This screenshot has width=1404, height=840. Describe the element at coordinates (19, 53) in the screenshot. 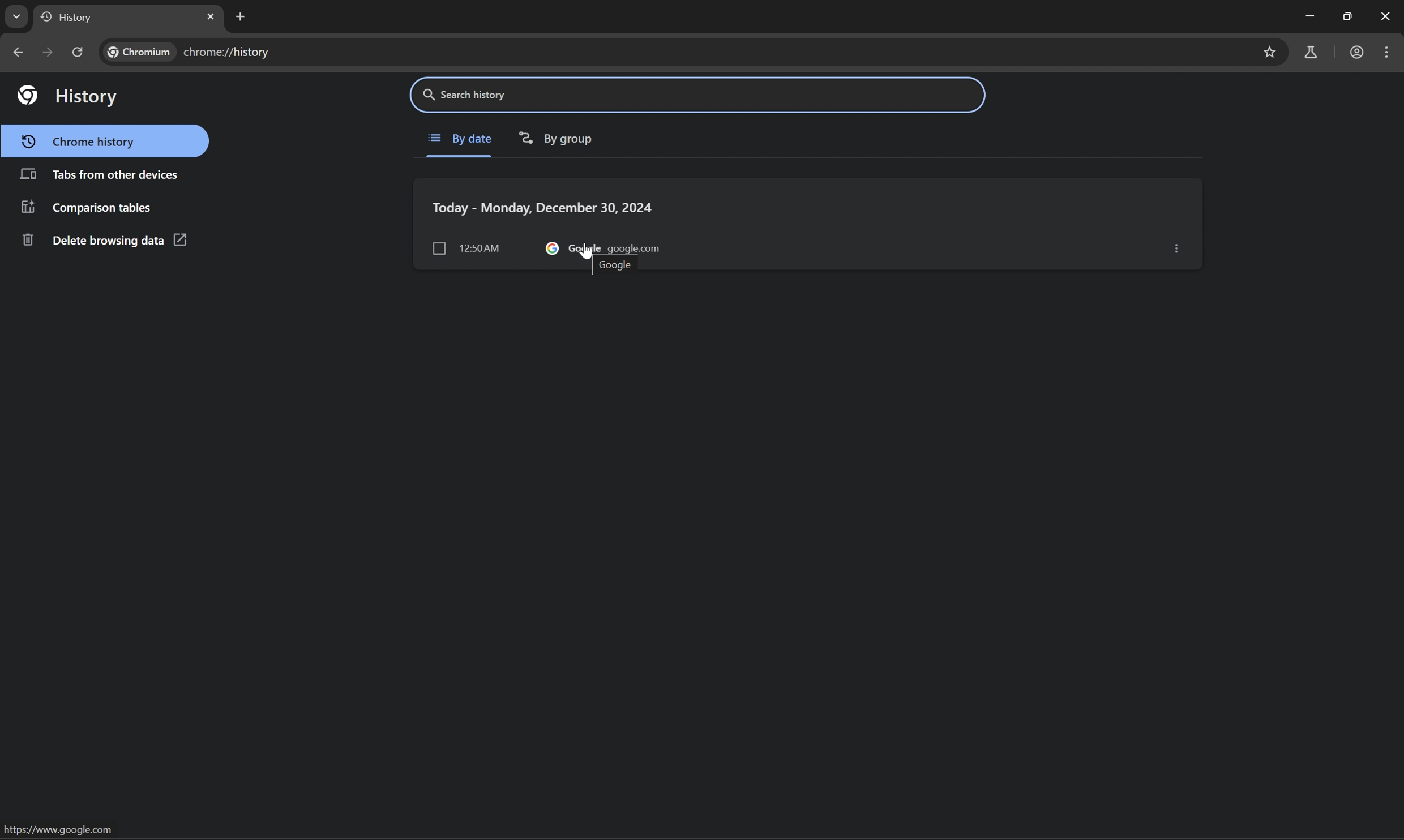

I see `previous` at that location.